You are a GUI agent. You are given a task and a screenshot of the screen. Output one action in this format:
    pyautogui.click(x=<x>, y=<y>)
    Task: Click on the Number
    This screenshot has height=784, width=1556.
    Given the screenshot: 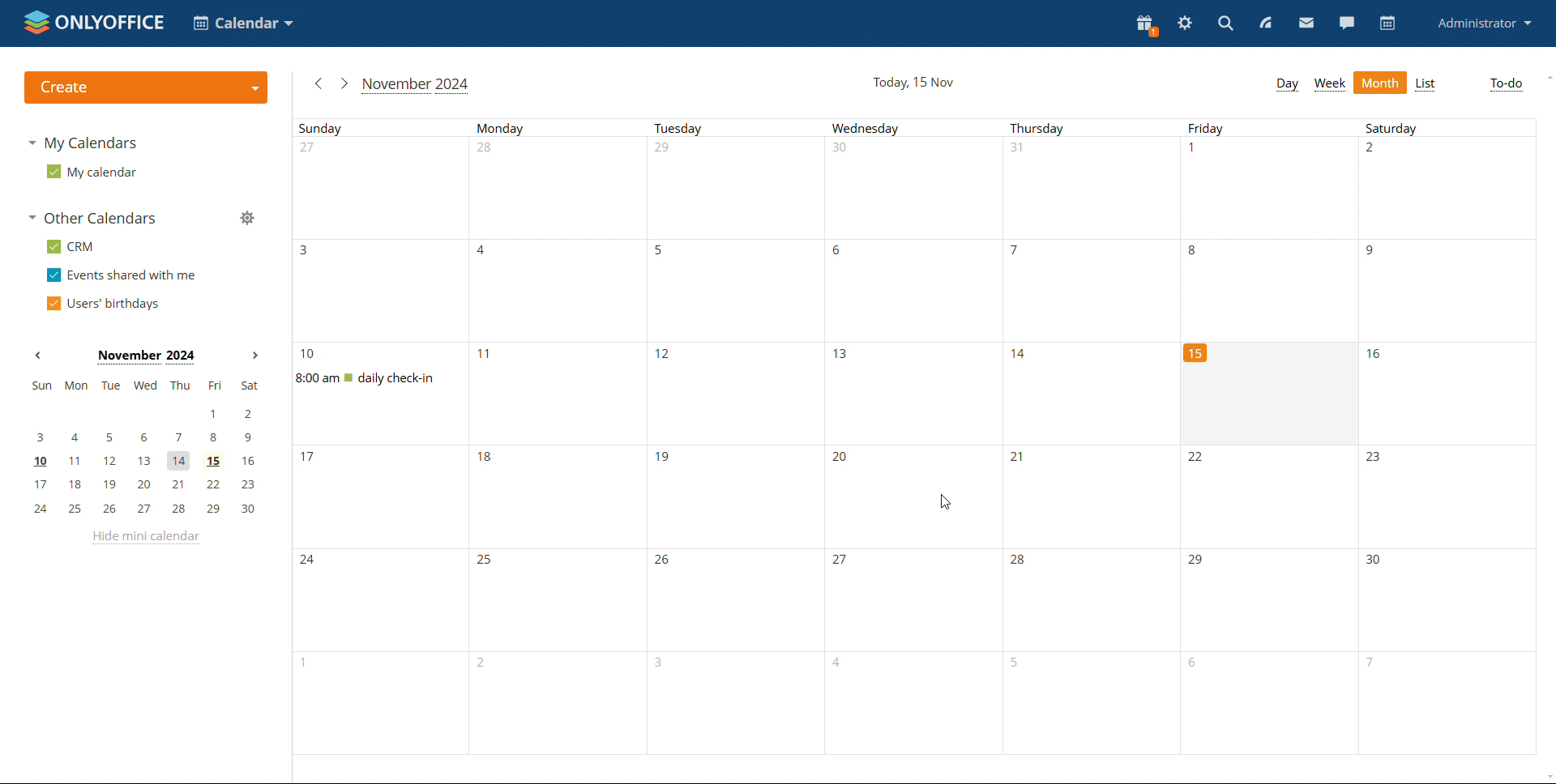 What is the action you would take?
    pyautogui.click(x=483, y=253)
    